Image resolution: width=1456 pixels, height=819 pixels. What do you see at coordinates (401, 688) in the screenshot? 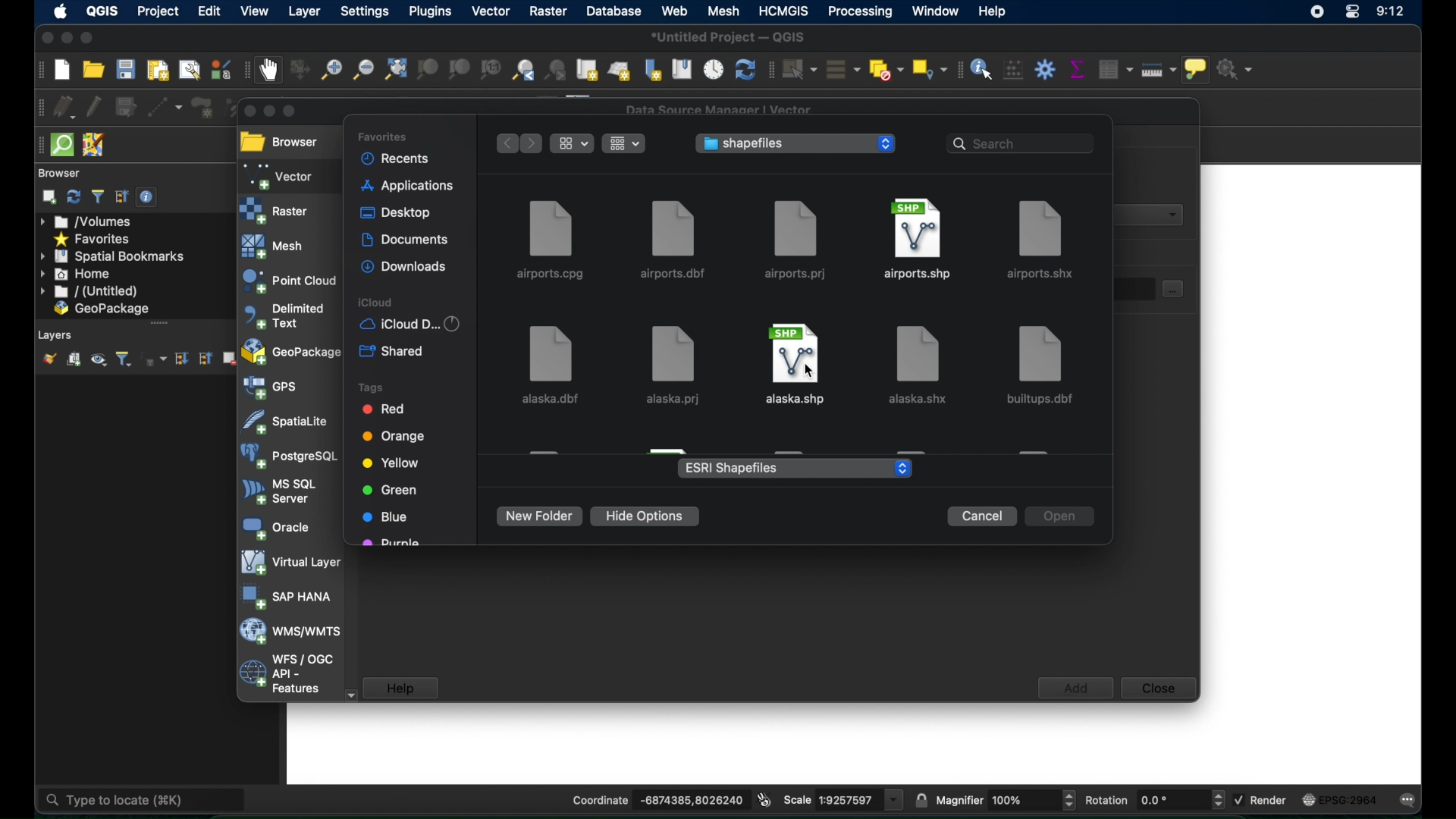
I see `help` at bounding box center [401, 688].